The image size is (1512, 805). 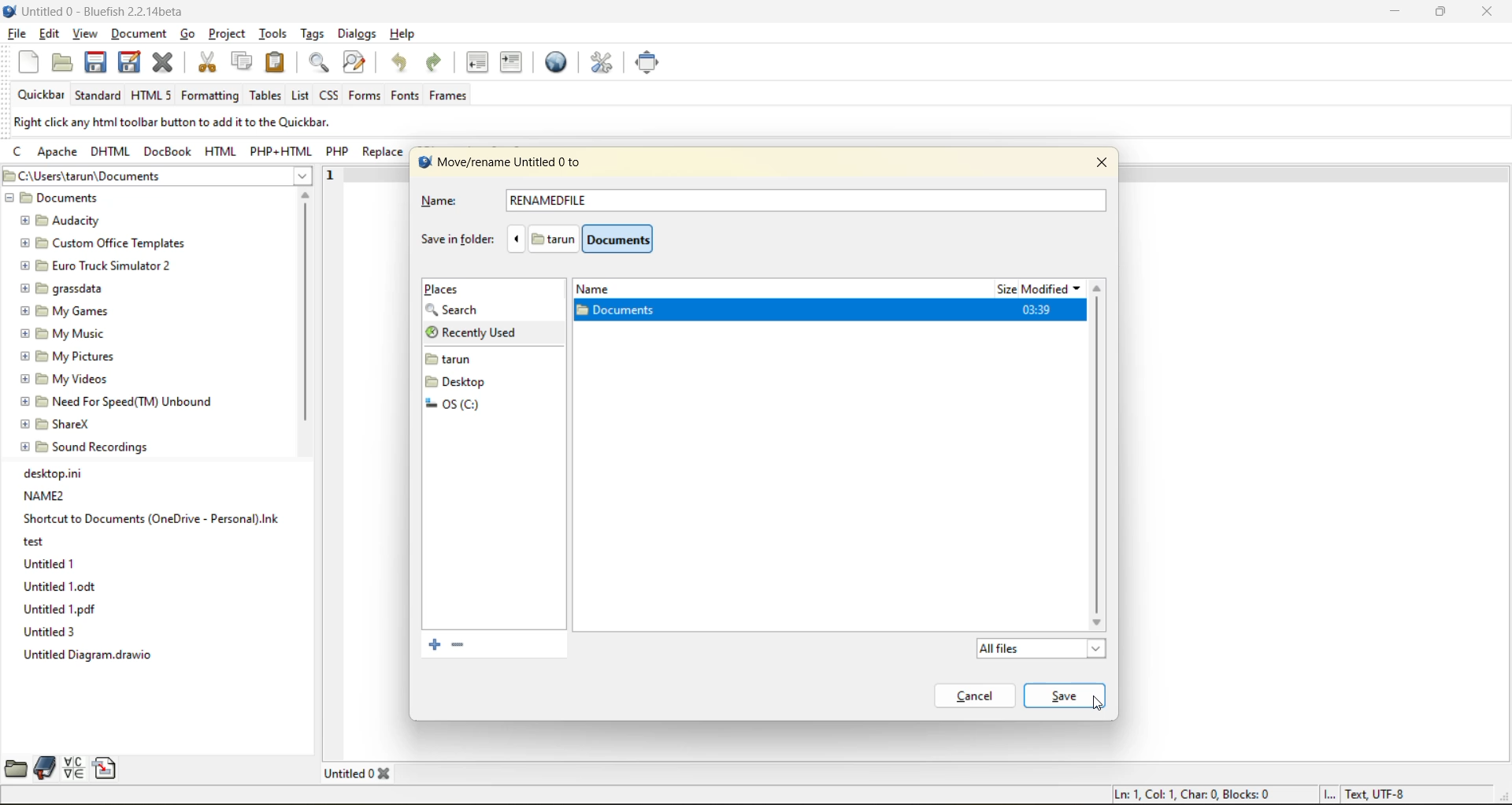 What do you see at coordinates (19, 66) in the screenshot?
I see `new` at bounding box center [19, 66].